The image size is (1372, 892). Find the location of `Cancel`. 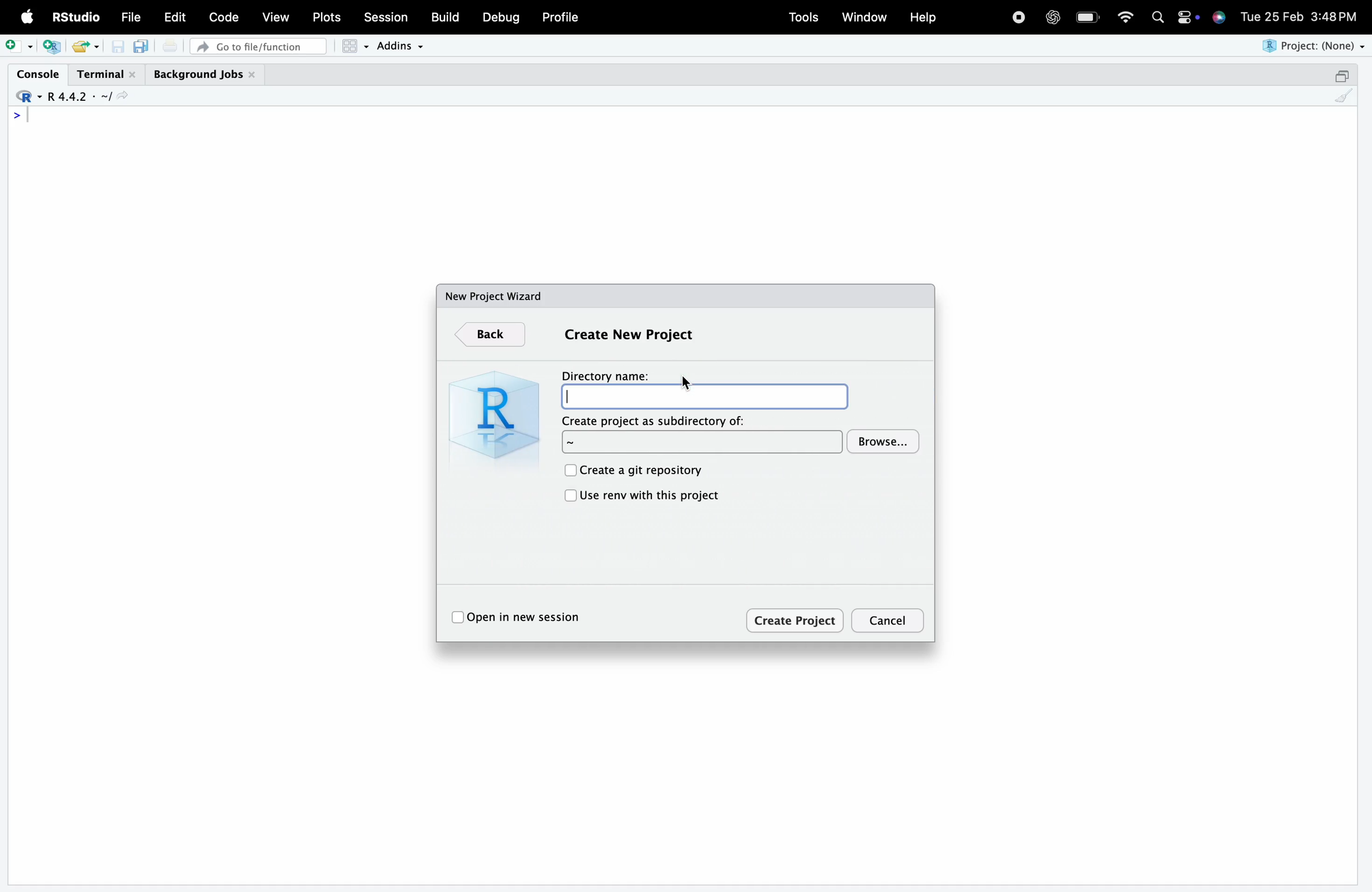

Cancel is located at coordinates (889, 621).